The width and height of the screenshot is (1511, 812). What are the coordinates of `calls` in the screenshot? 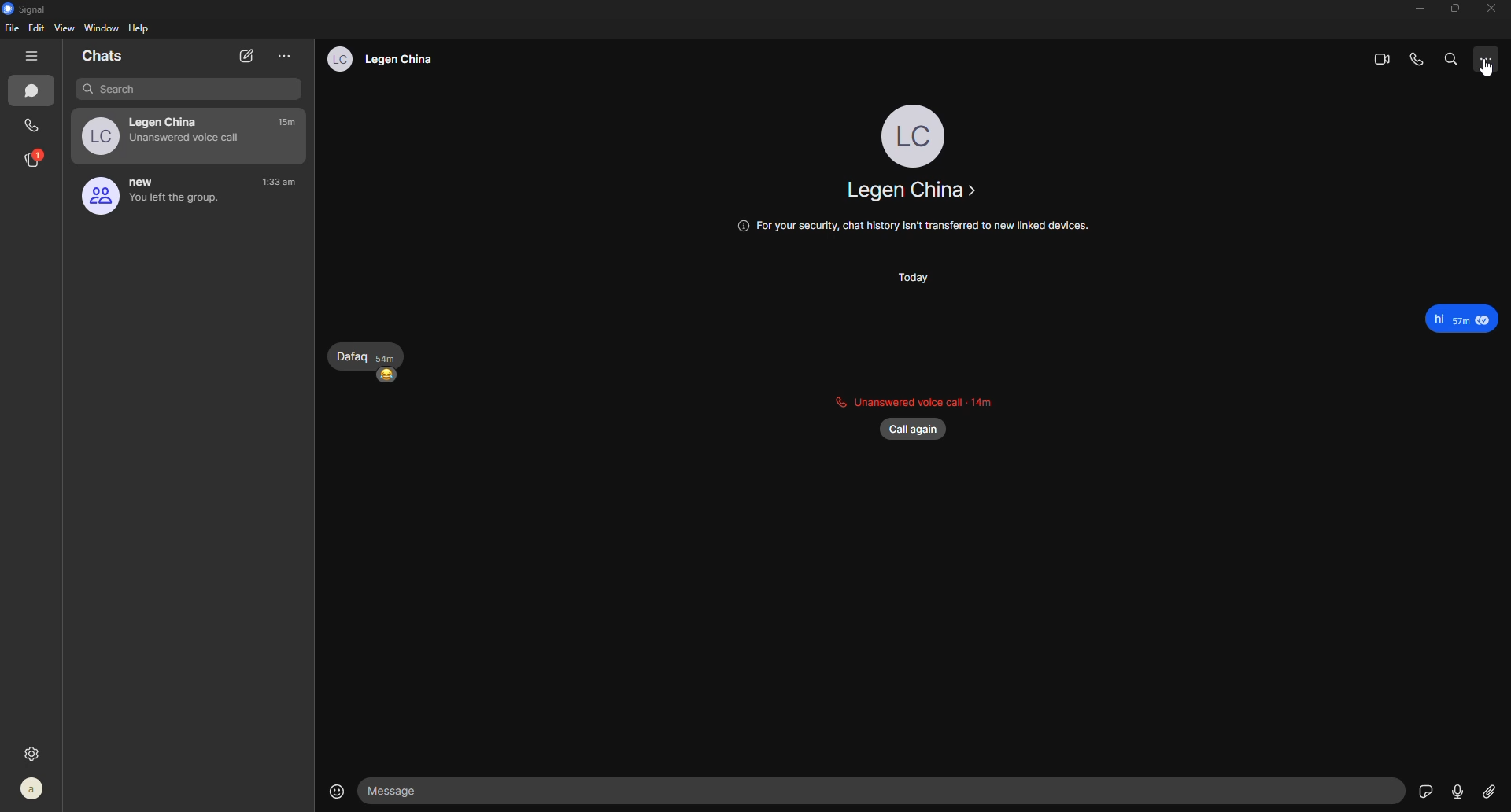 It's located at (33, 124).